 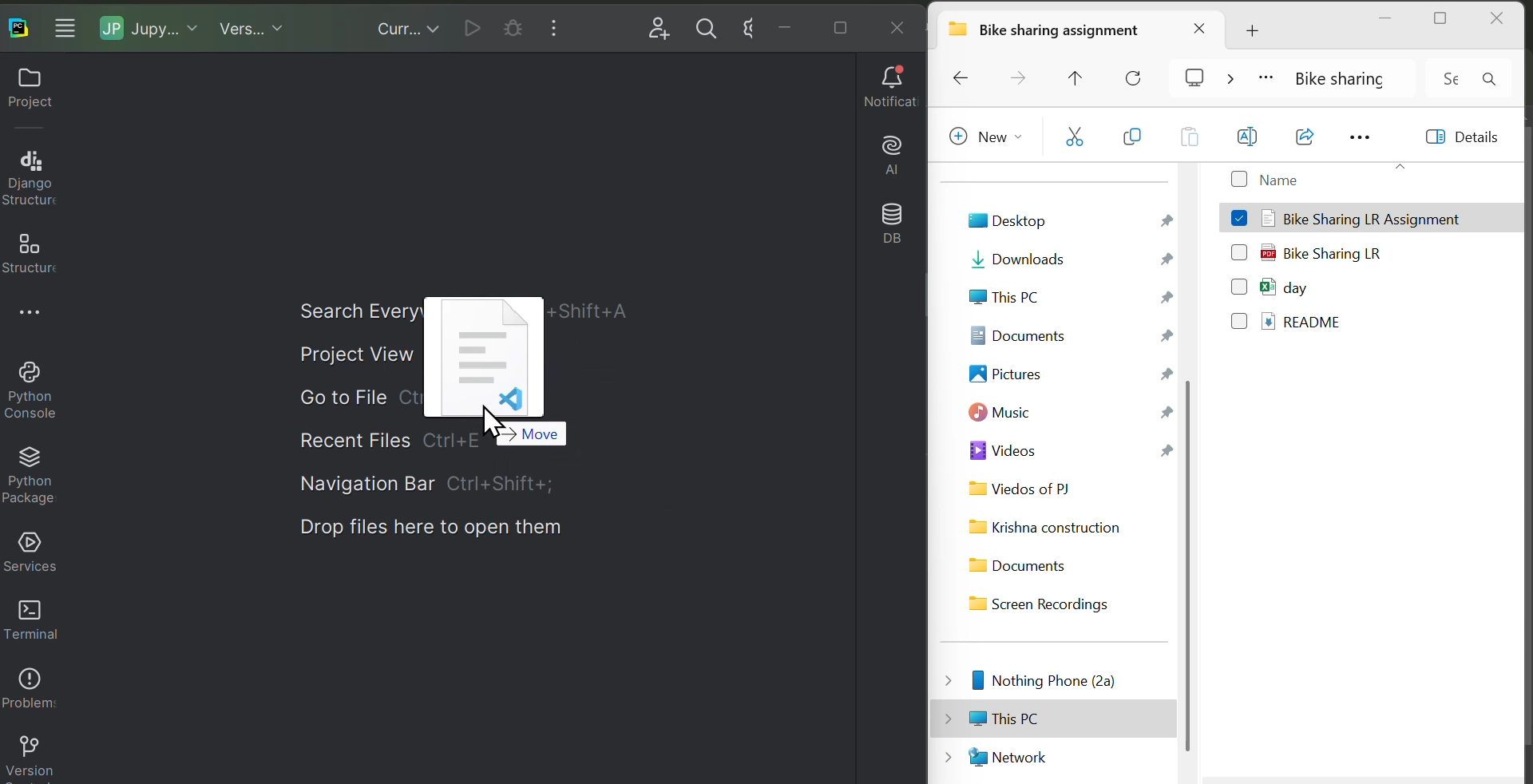 I want to click on Current files, so click(x=405, y=27).